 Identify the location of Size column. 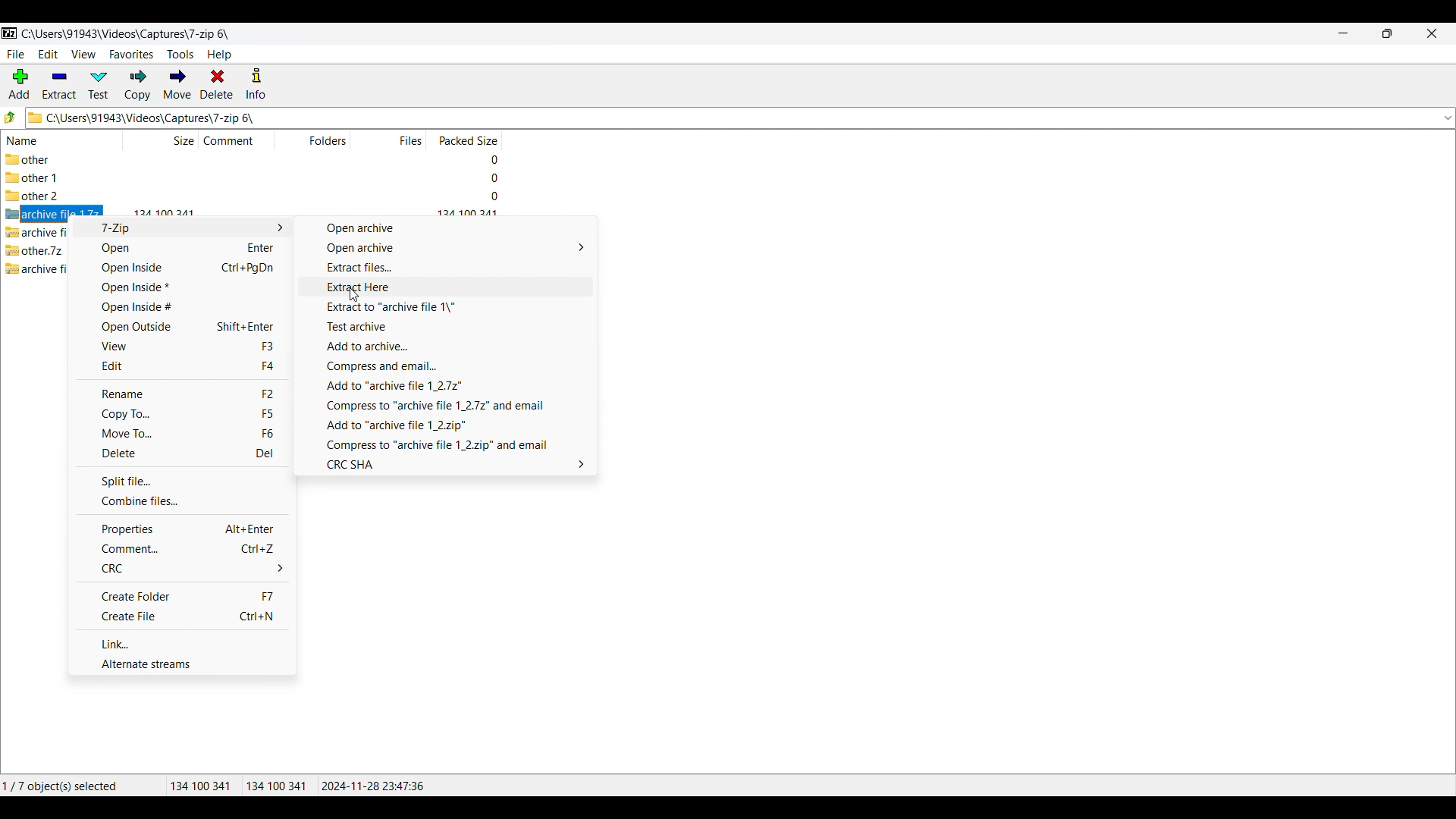
(159, 141).